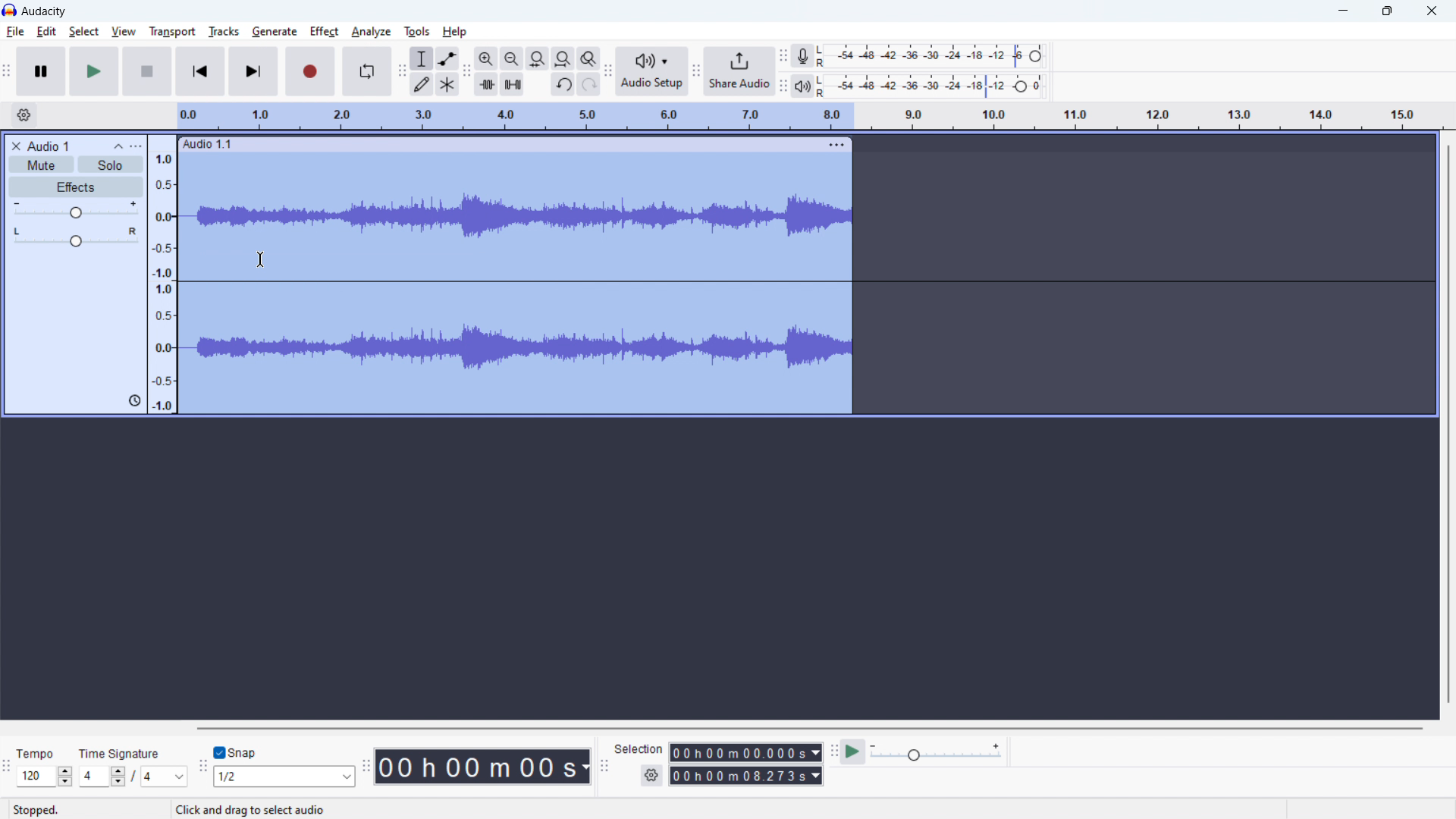 The width and height of the screenshot is (1456, 819). What do you see at coordinates (134, 400) in the screenshot?
I see `sync lock activated` at bounding box center [134, 400].